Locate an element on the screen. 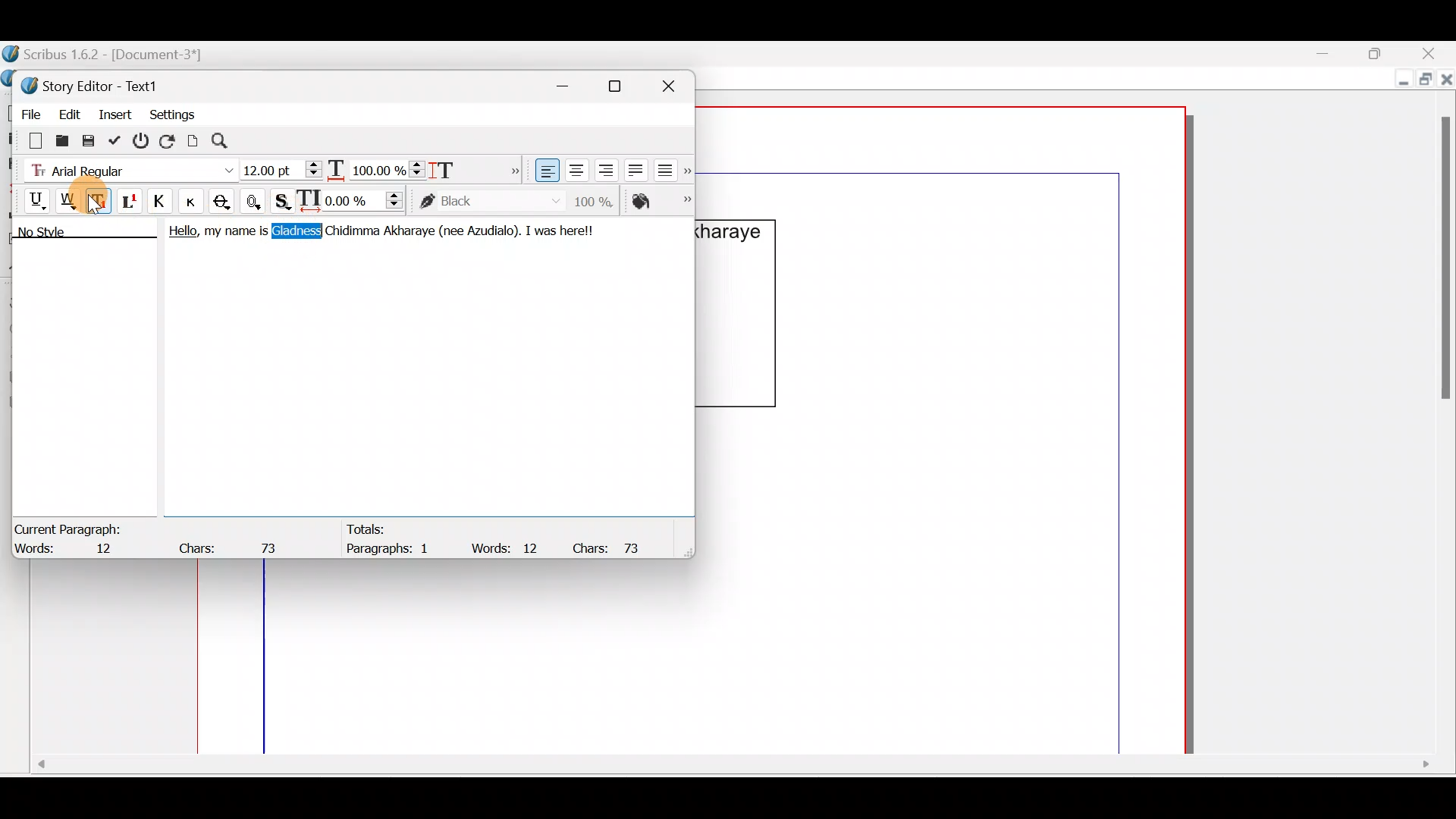 This screenshot has height=819, width=1456. Words: 12 is located at coordinates (72, 550).